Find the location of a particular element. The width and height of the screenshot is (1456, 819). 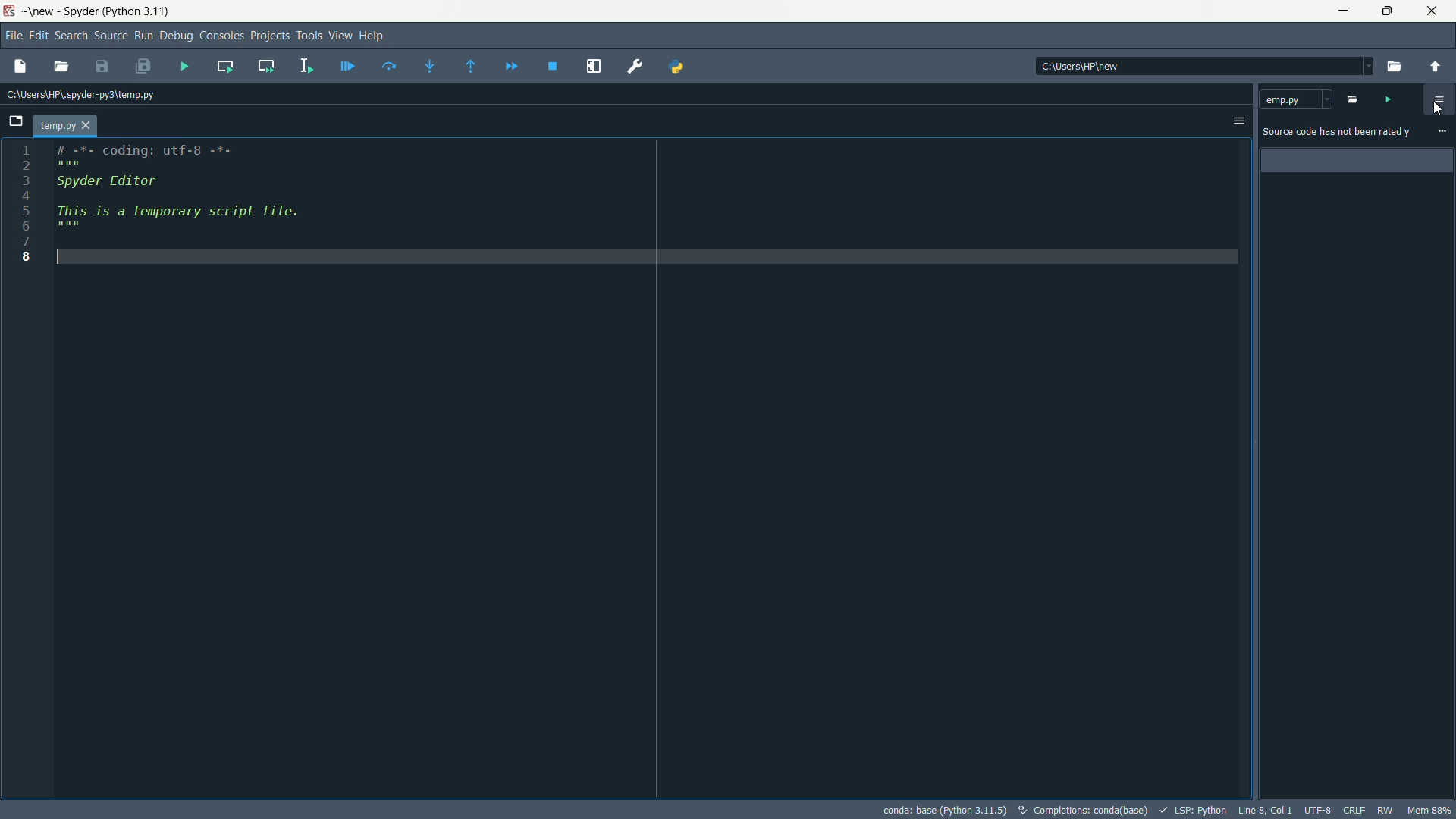

completions: conda (base) is located at coordinates (1084, 809).